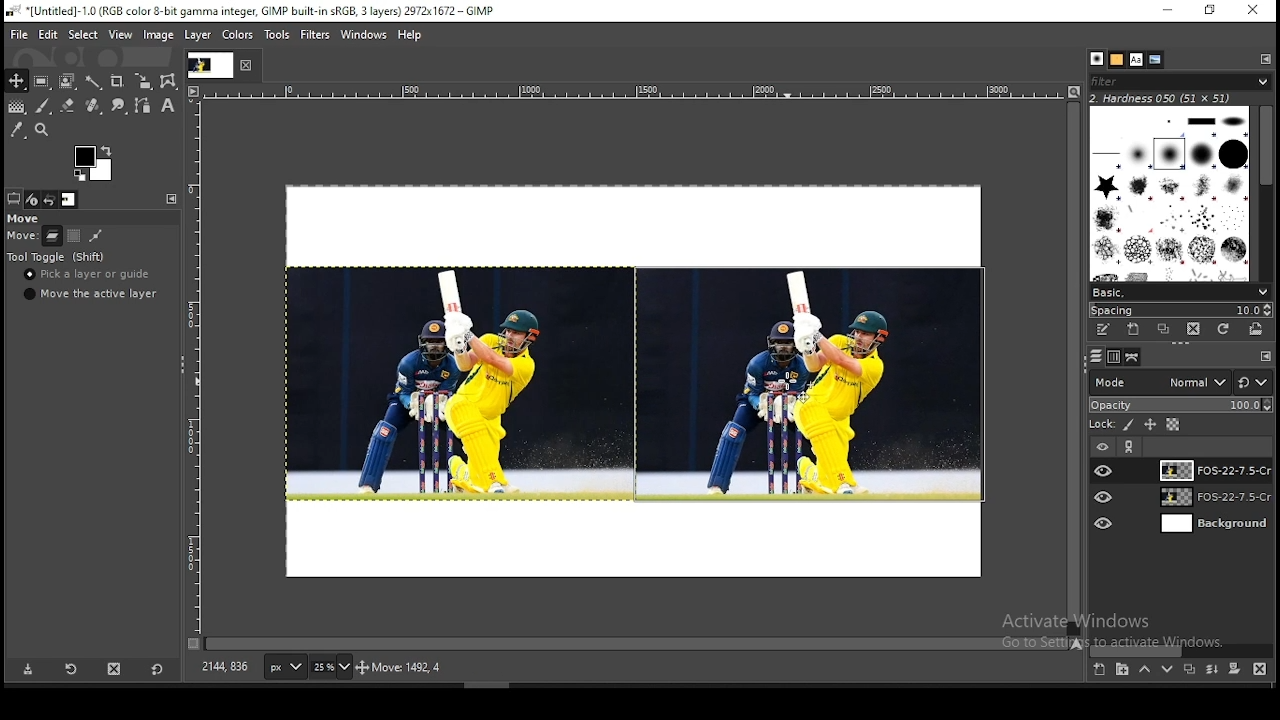 The image size is (1280, 720). What do you see at coordinates (1180, 382) in the screenshot?
I see `blend mode` at bounding box center [1180, 382].